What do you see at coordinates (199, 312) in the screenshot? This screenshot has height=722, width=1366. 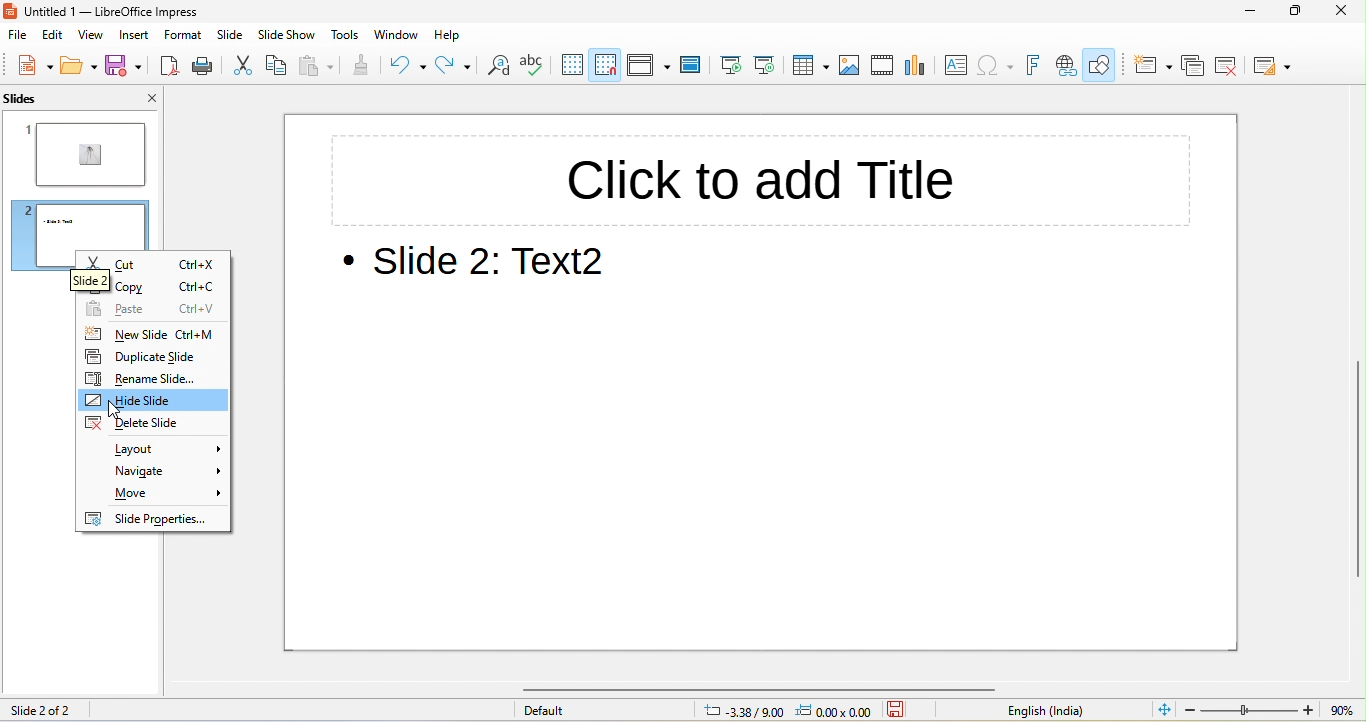 I see `ctrl+v` at bounding box center [199, 312].